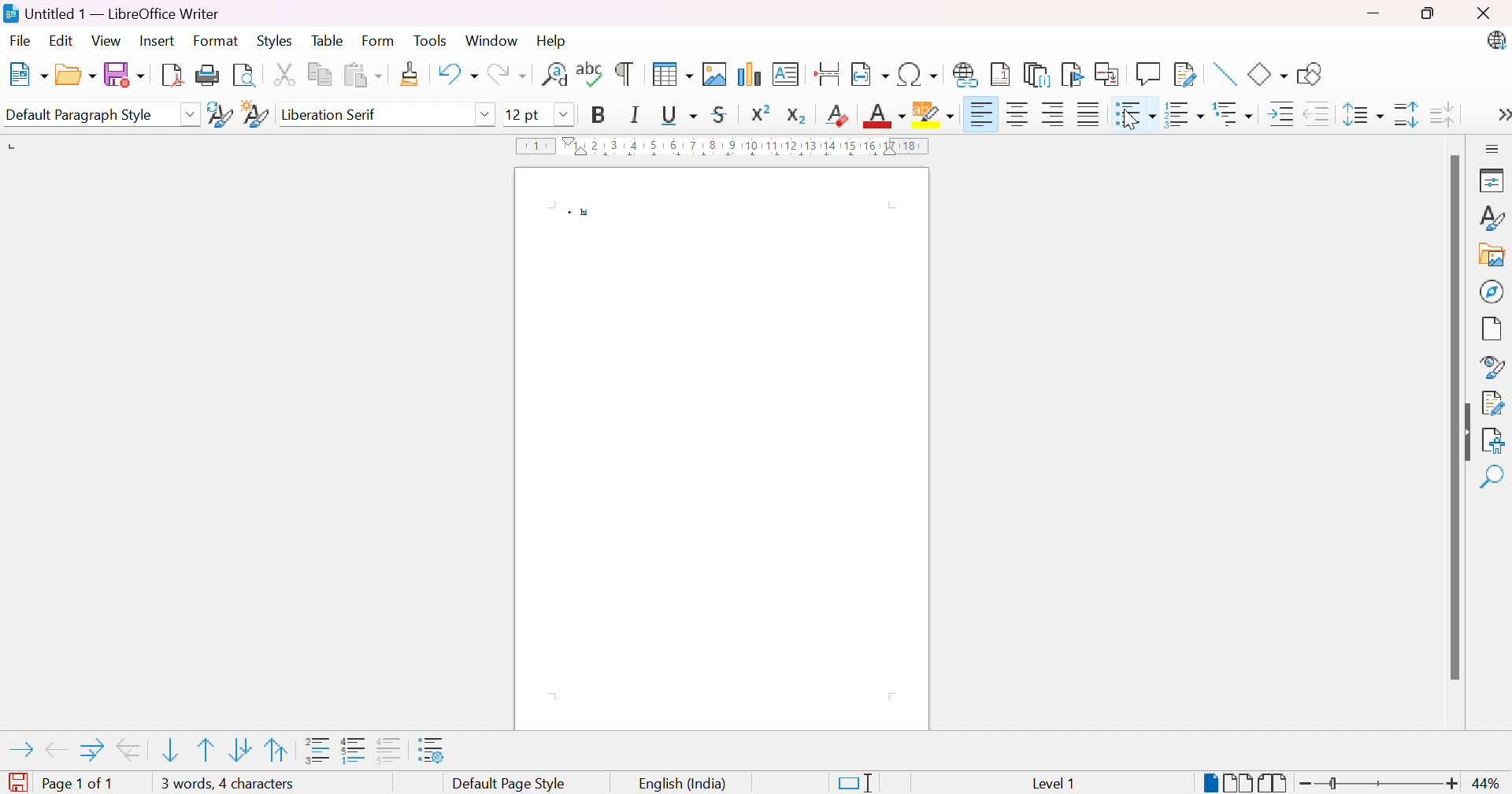  Describe the element at coordinates (207, 751) in the screenshot. I see `Move item up` at that location.